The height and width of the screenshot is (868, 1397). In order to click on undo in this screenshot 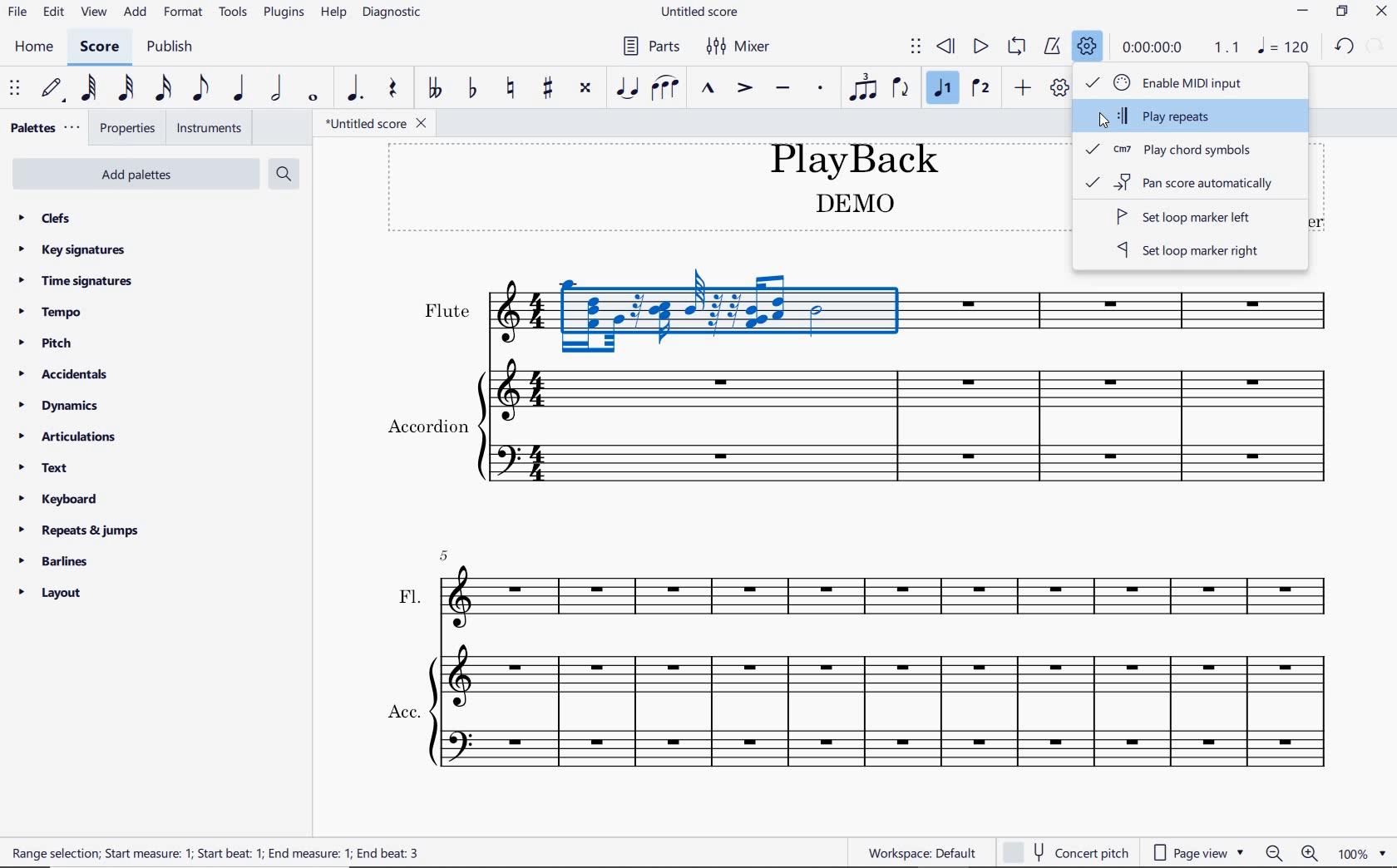, I will do `click(1344, 47)`.